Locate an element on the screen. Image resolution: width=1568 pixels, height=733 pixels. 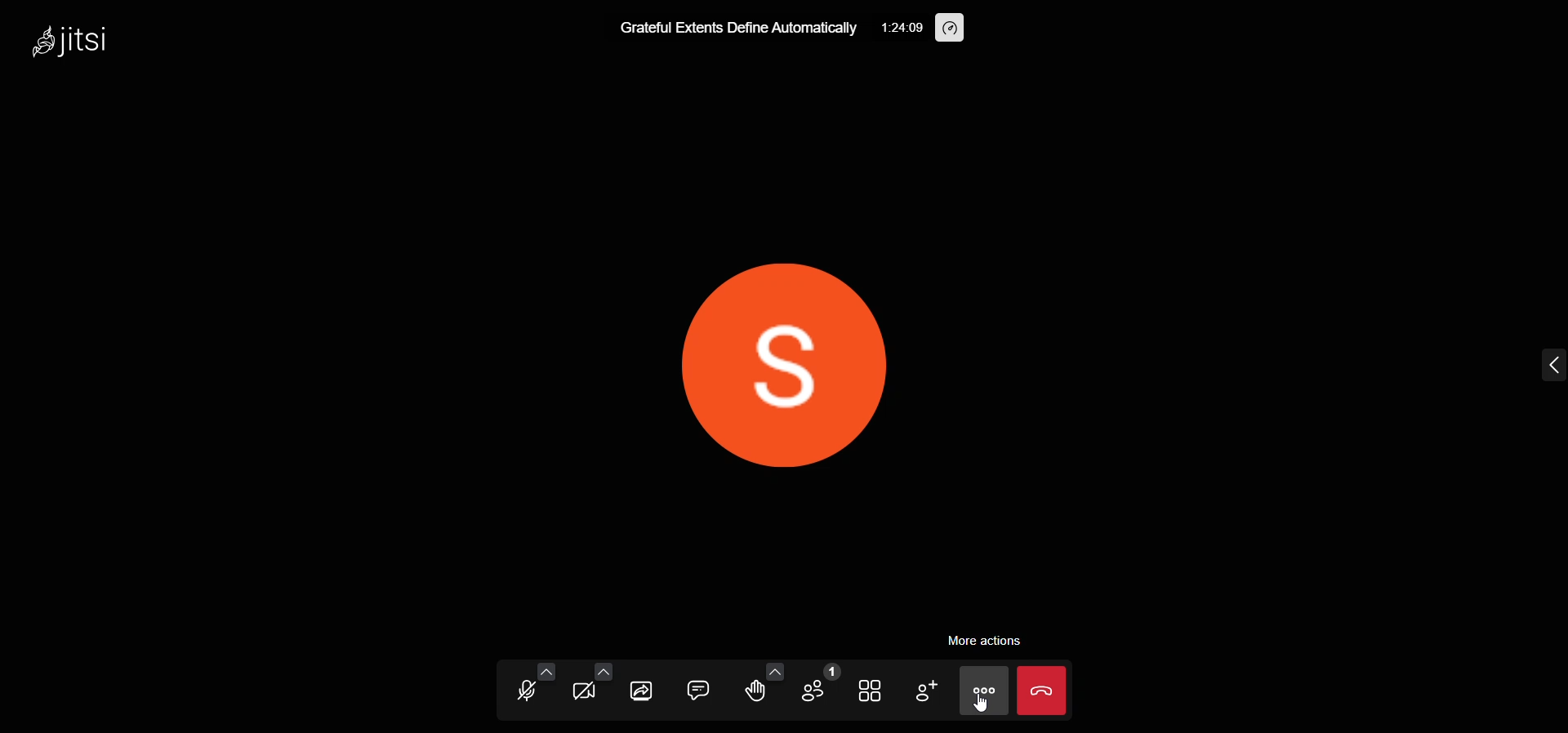
invite people is located at coordinates (923, 688).